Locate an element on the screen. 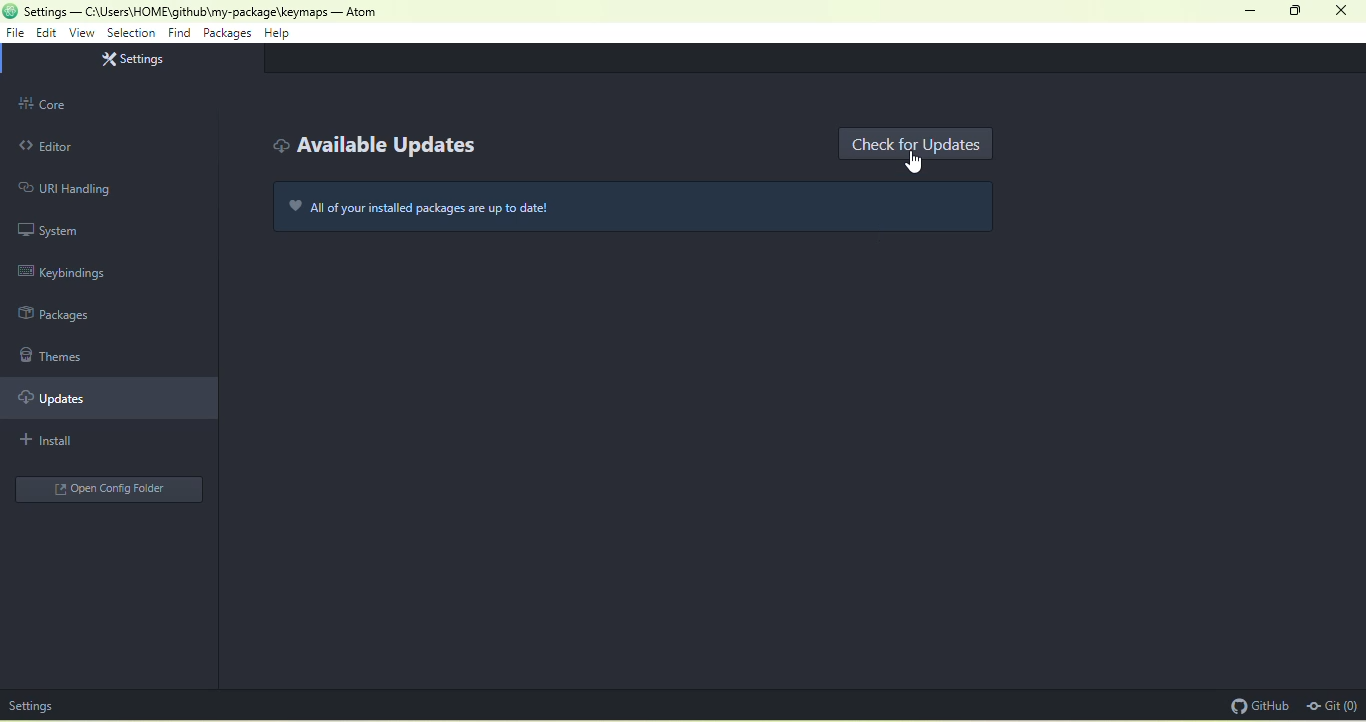 The image size is (1366, 722). settings is located at coordinates (32, 705).